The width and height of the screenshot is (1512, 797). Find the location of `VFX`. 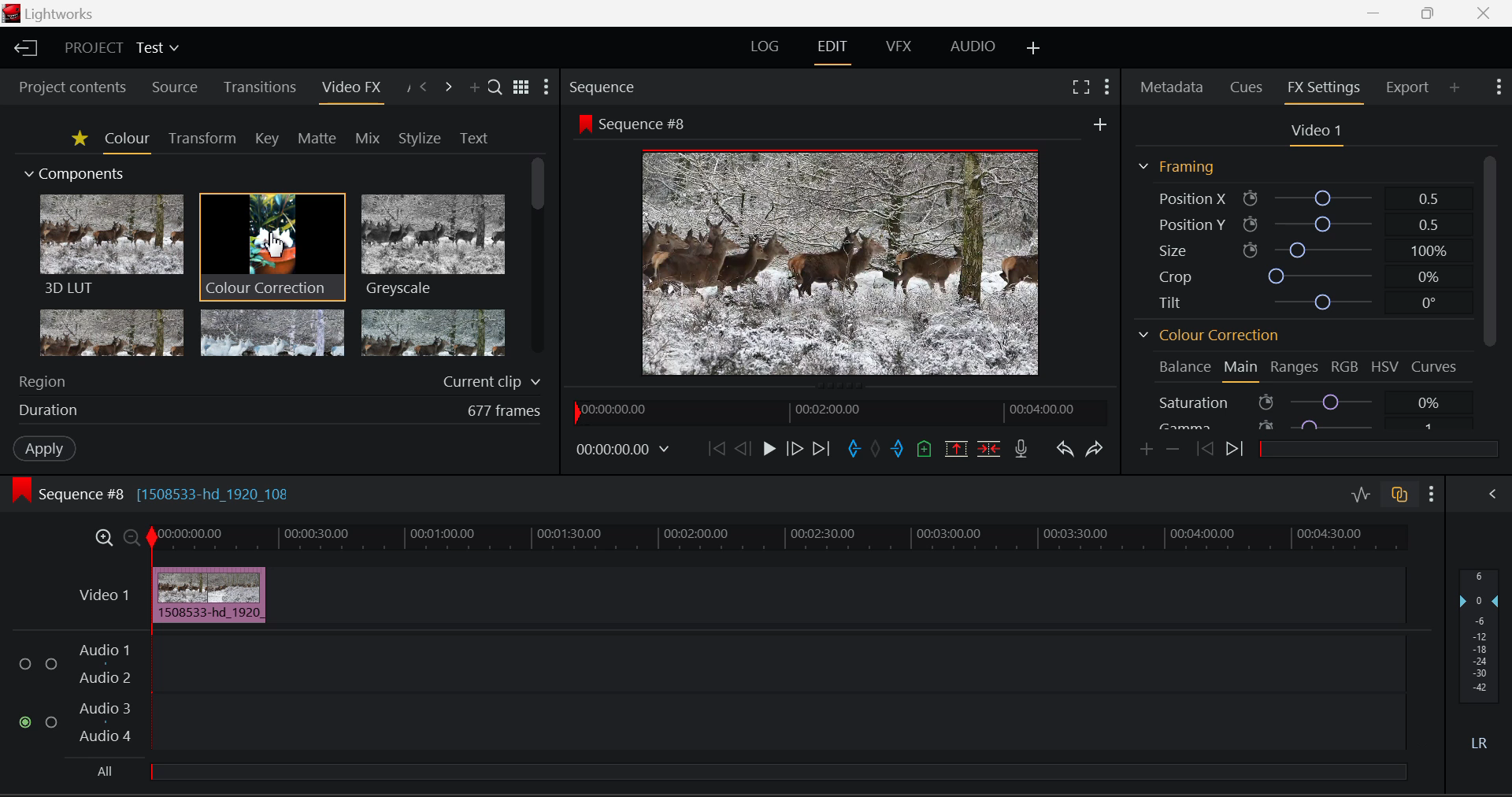

VFX is located at coordinates (898, 48).